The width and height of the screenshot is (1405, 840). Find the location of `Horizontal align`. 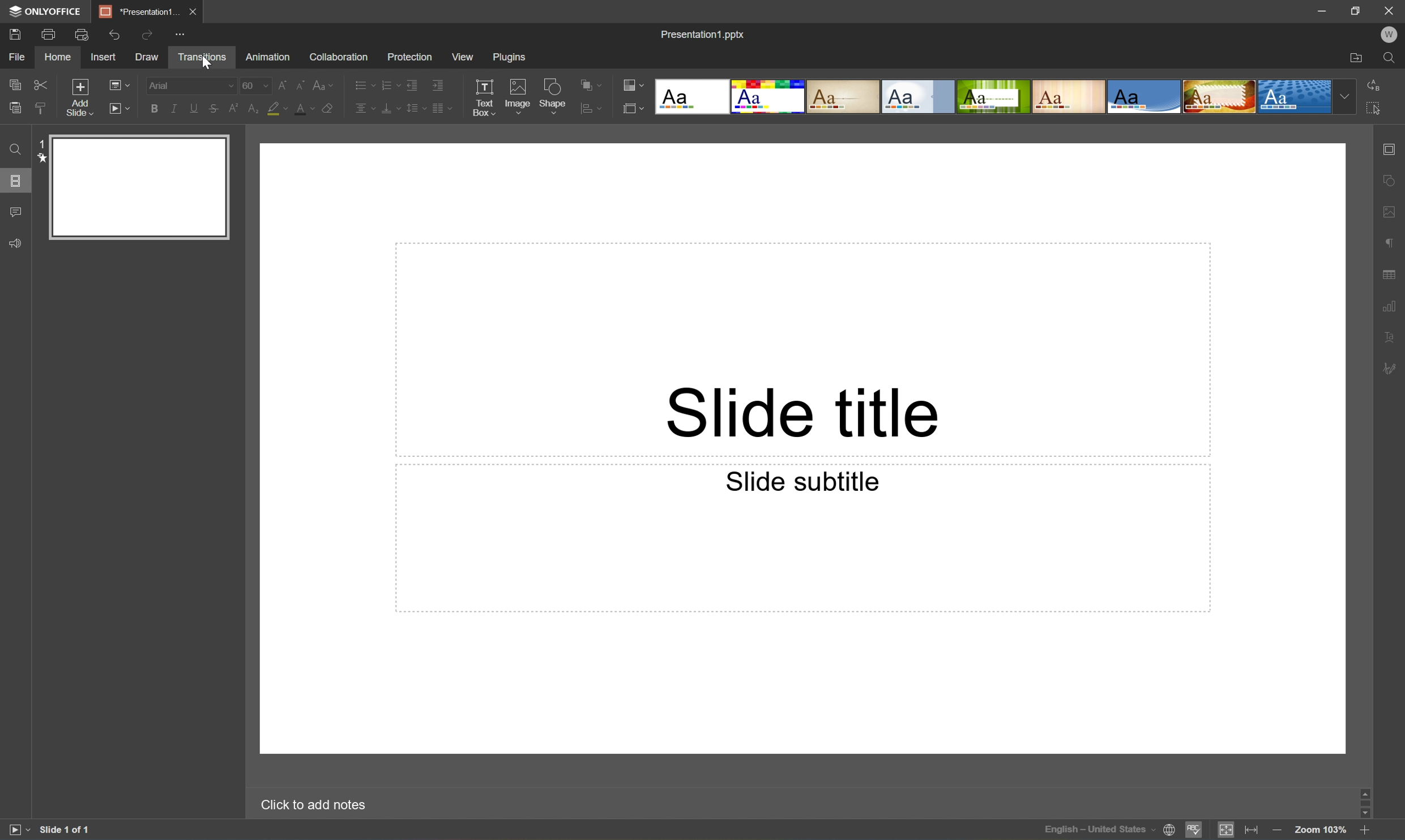

Horizontal align is located at coordinates (365, 108).